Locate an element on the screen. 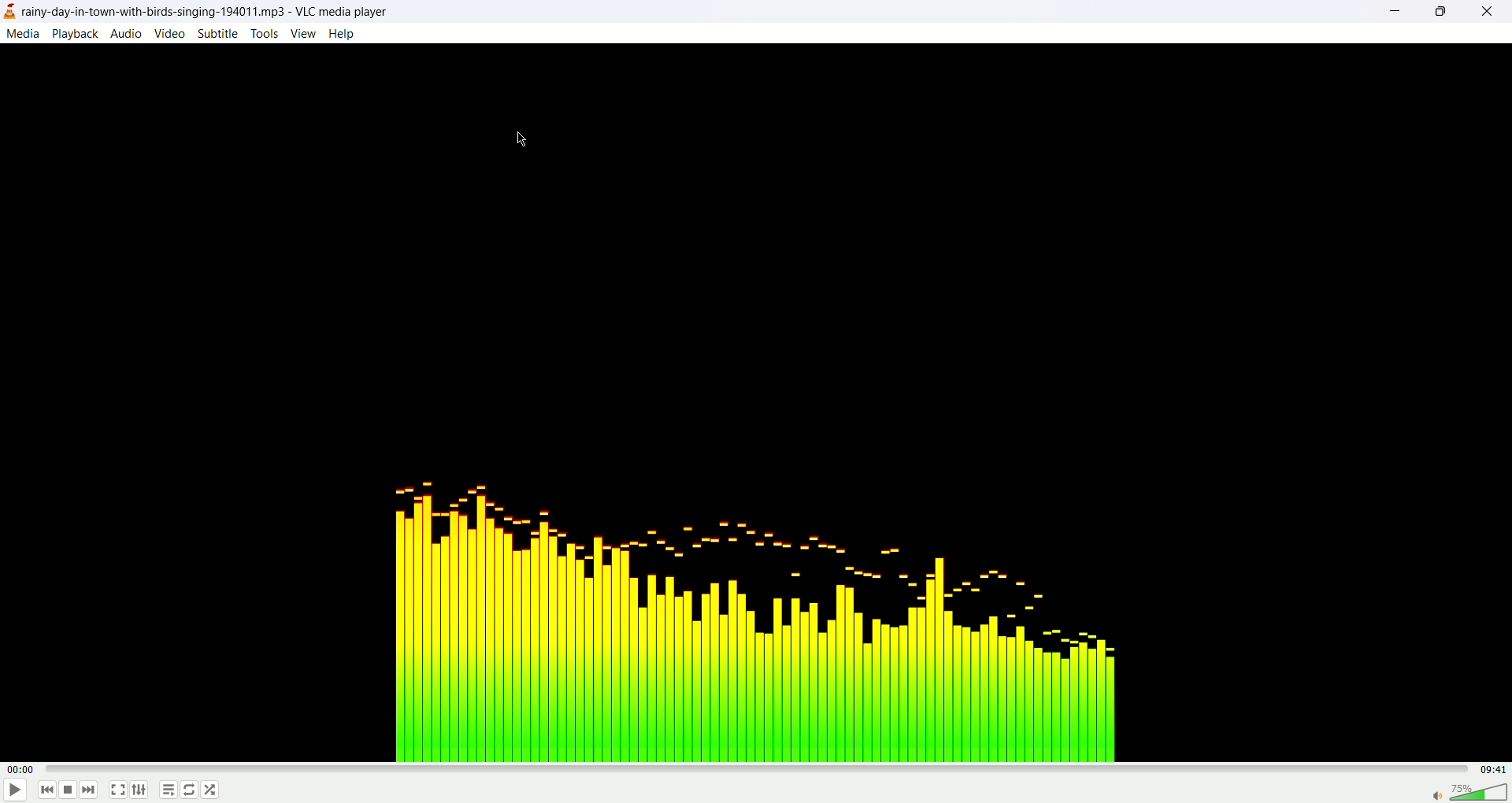 The image size is (1512, 803). view is located at coordinates (303, 33).